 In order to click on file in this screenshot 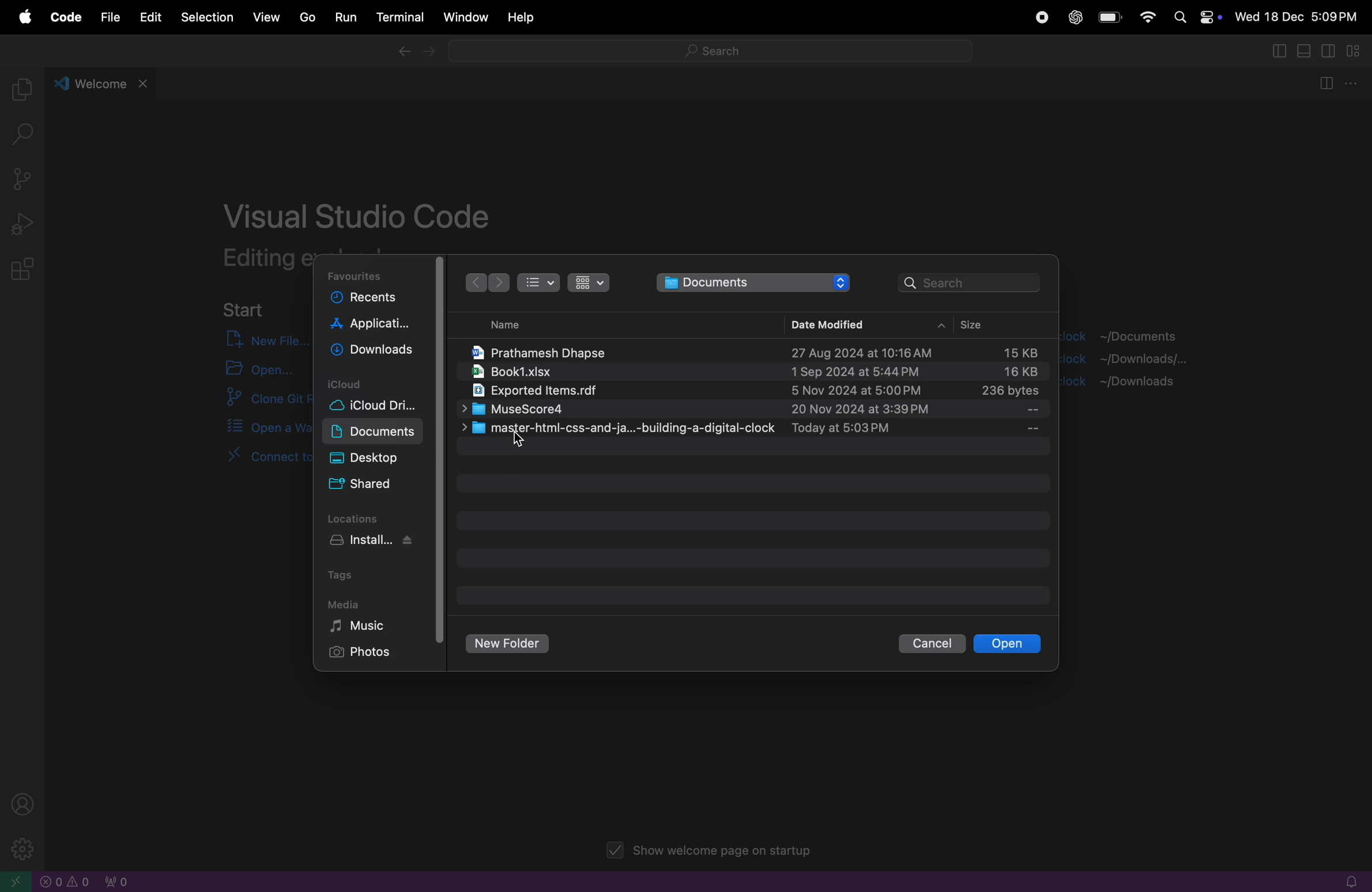, I will do `click(754, 428)`.